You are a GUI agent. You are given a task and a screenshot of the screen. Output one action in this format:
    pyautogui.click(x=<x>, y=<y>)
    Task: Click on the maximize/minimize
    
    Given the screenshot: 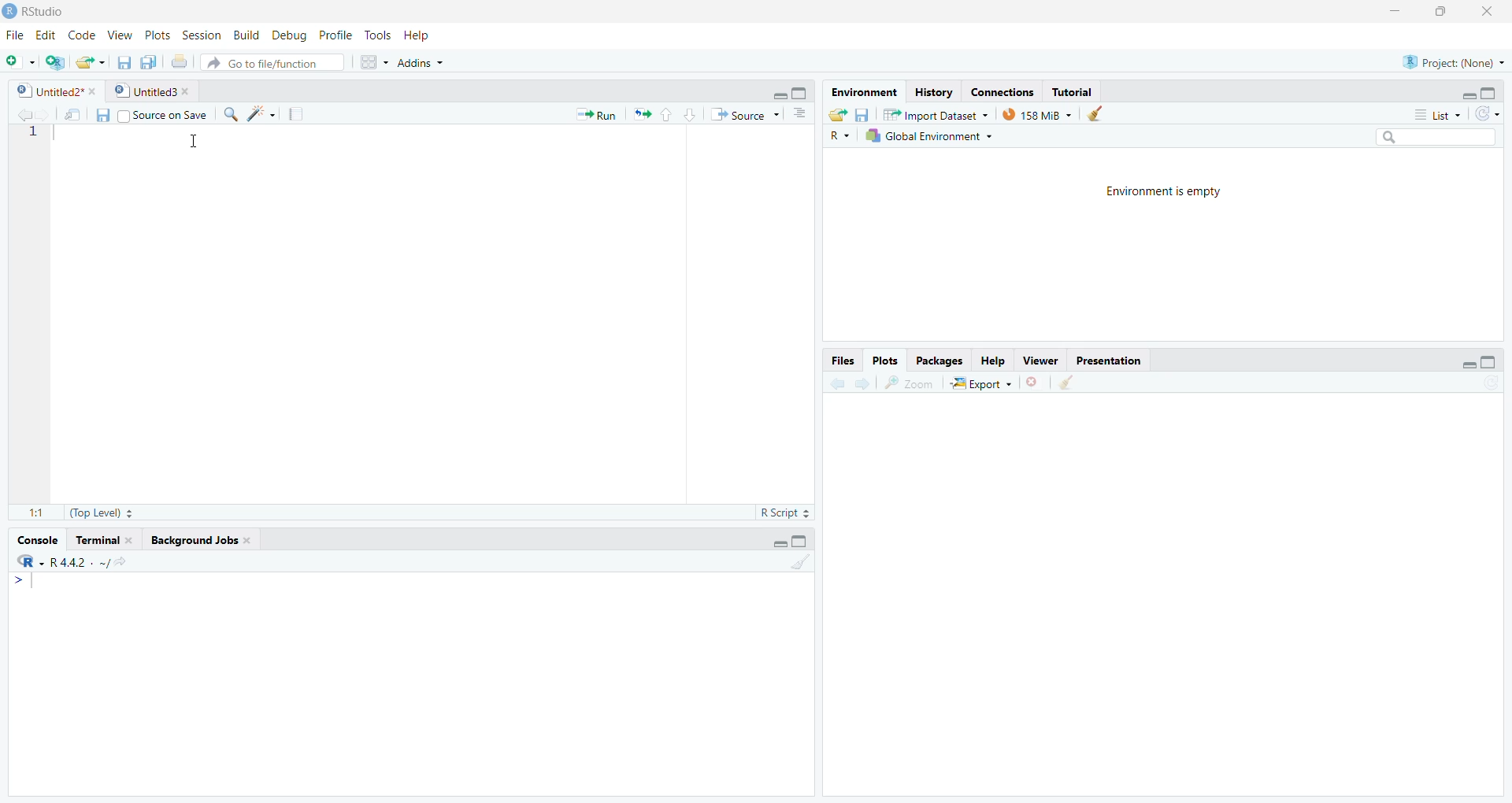 What is the action you would take?
    pyautogui.click(x=798, y=538)
    